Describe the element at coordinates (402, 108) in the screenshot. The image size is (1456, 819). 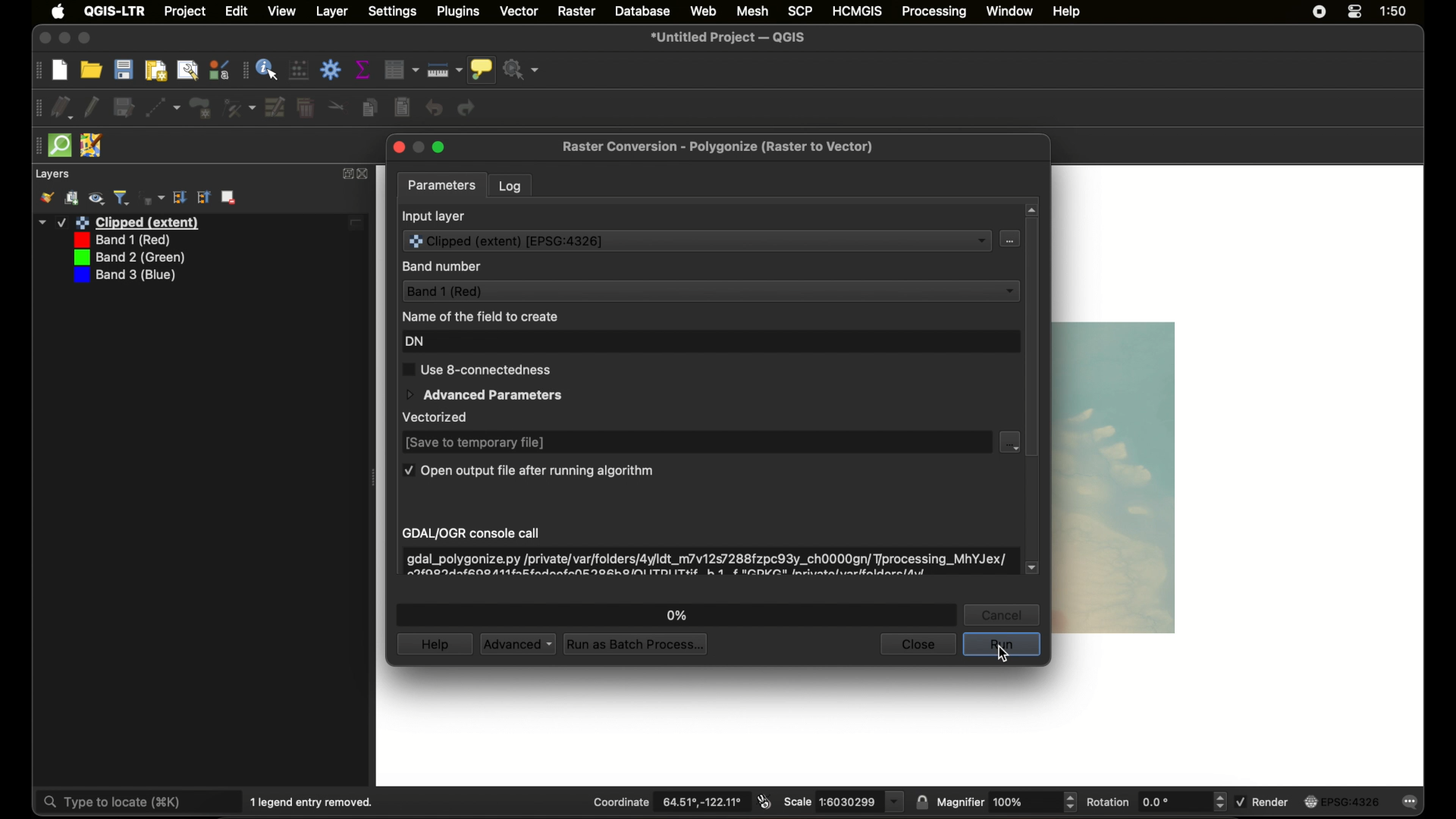
I see `paste features` at that location.